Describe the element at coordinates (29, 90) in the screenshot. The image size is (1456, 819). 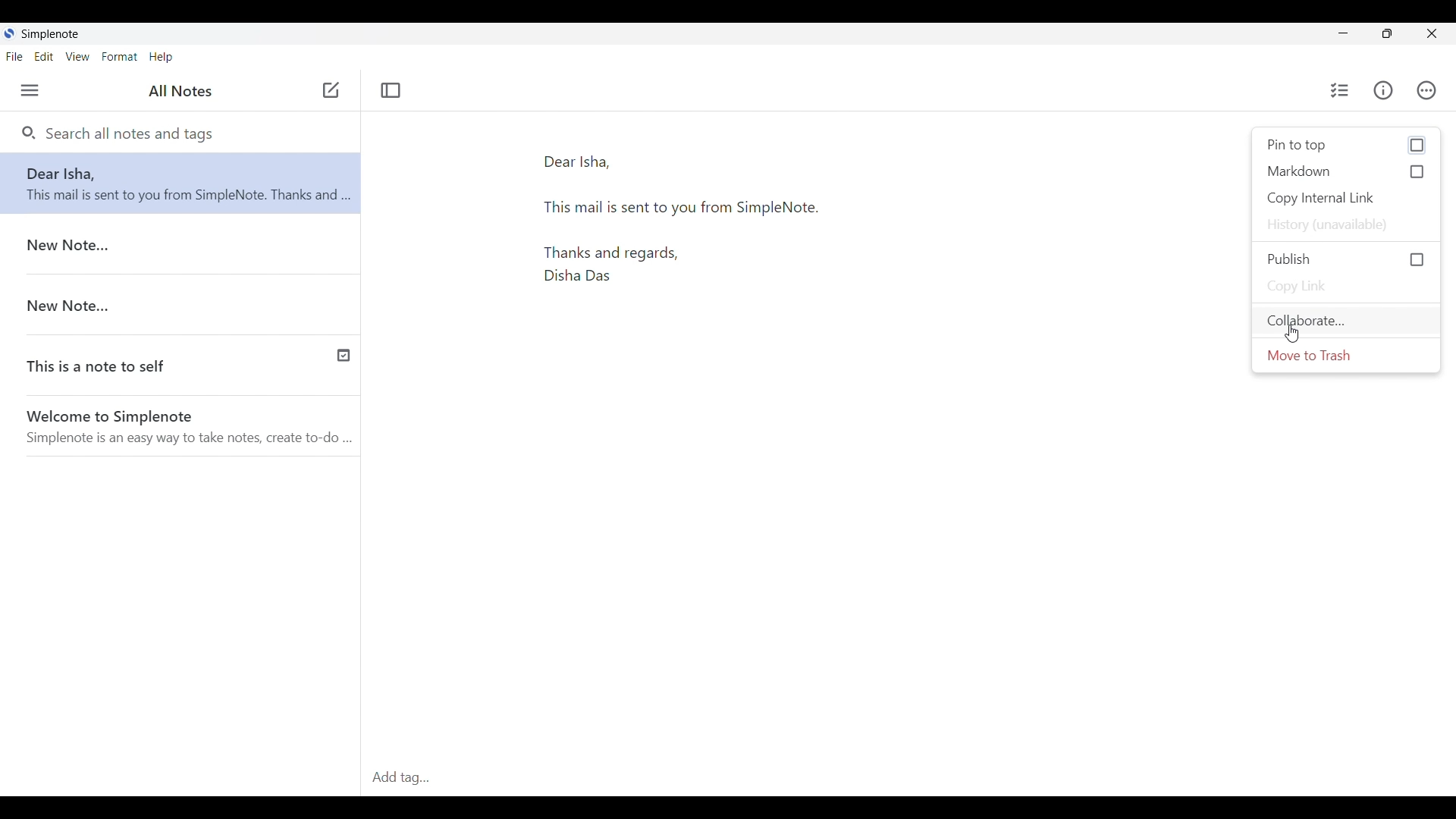
I see `Menu` at that location.